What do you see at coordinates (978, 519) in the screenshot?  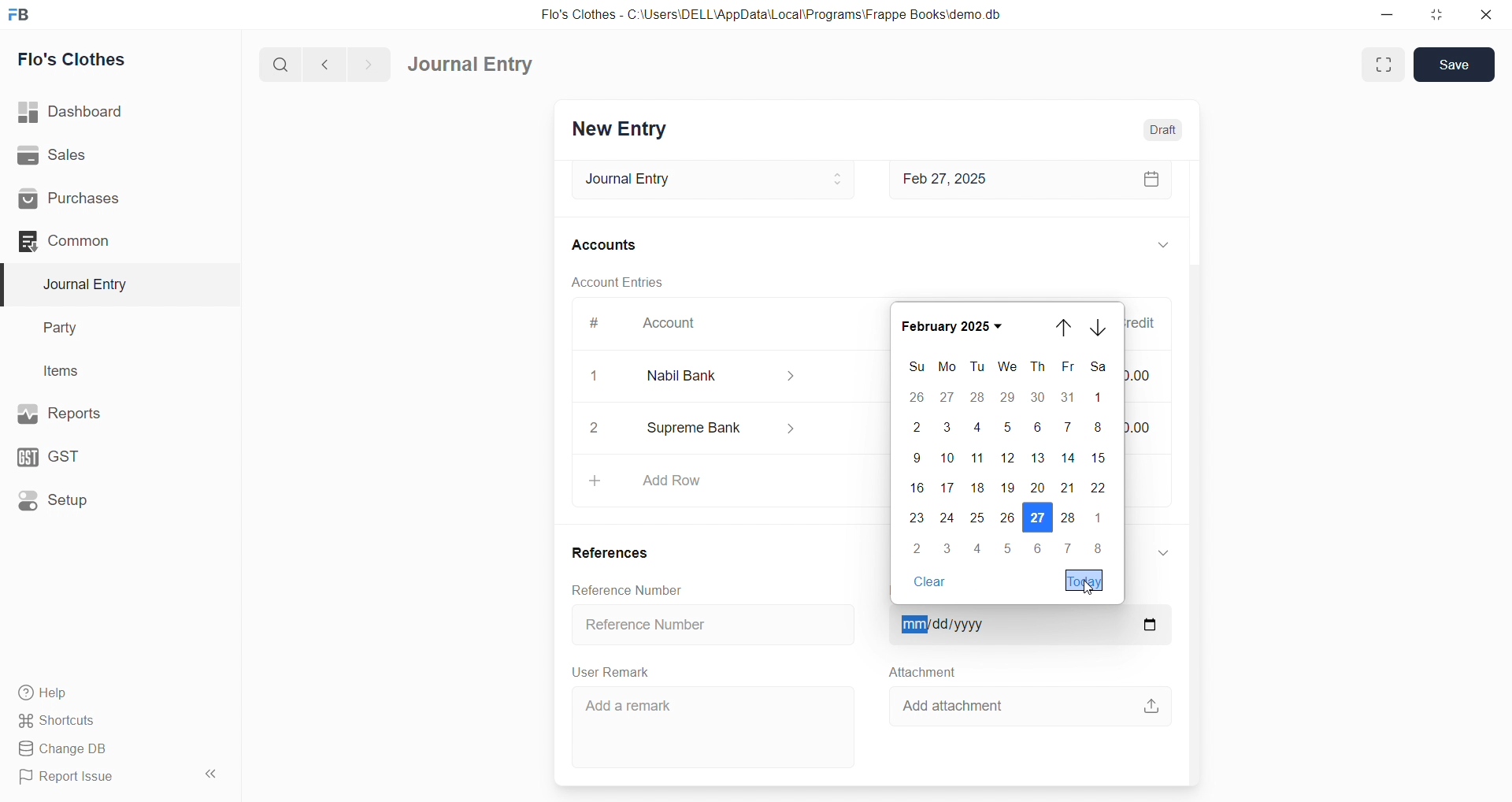 I see `26` at bounding box center [978, 519].